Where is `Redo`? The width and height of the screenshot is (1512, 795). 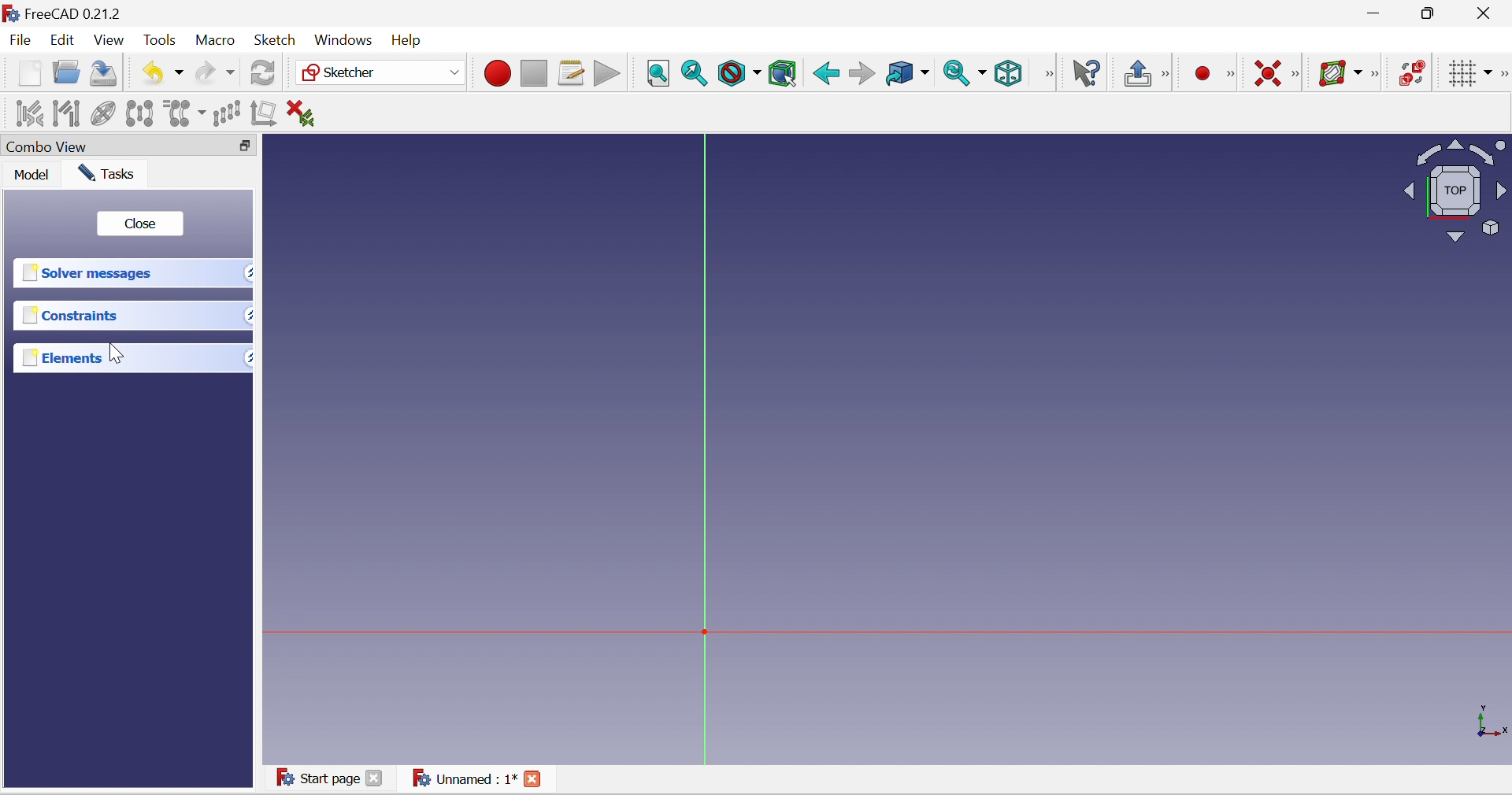
Redo is located at coordinates (213, 75).